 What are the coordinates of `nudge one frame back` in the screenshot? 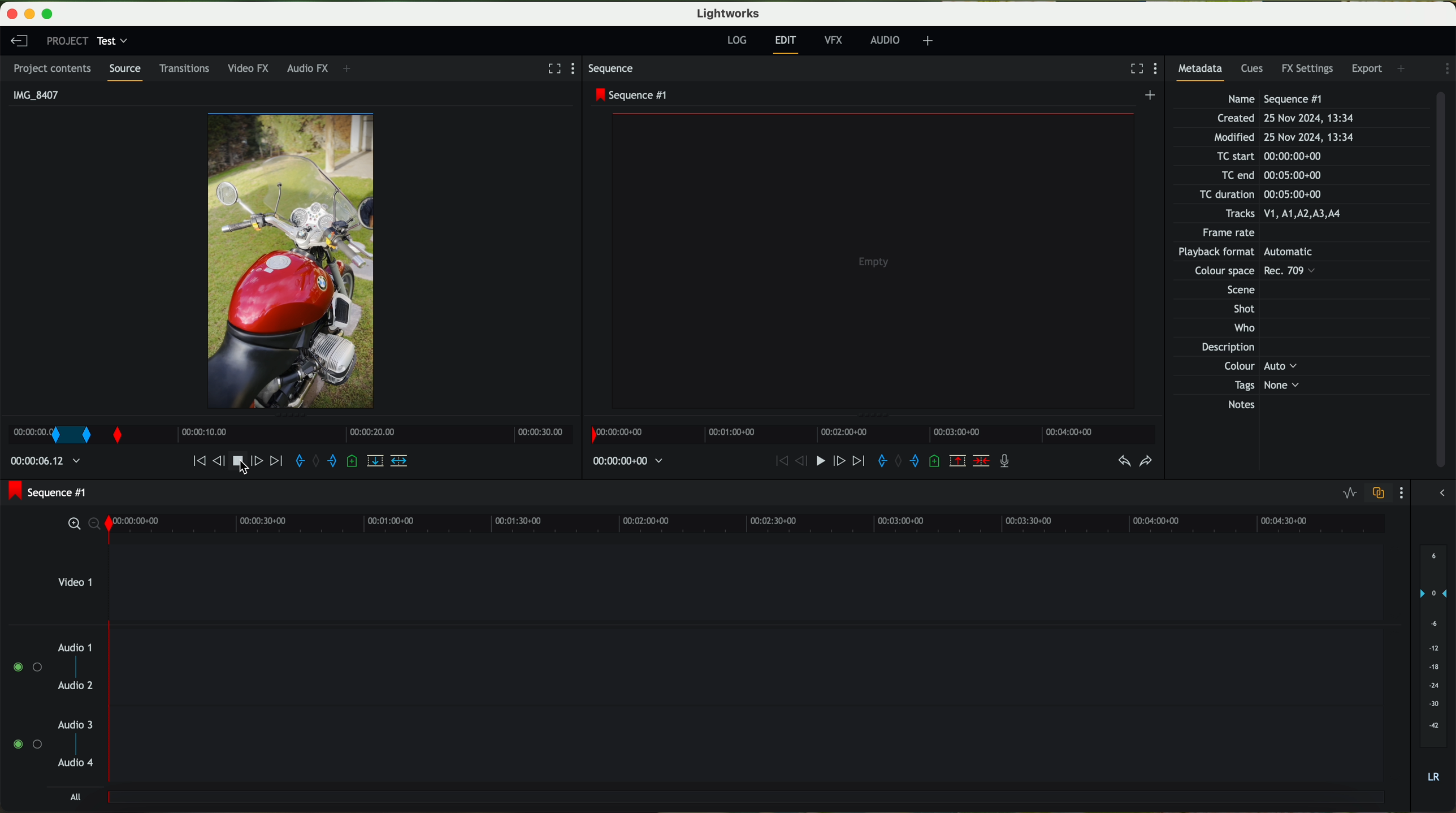 It's located at (794, 464).